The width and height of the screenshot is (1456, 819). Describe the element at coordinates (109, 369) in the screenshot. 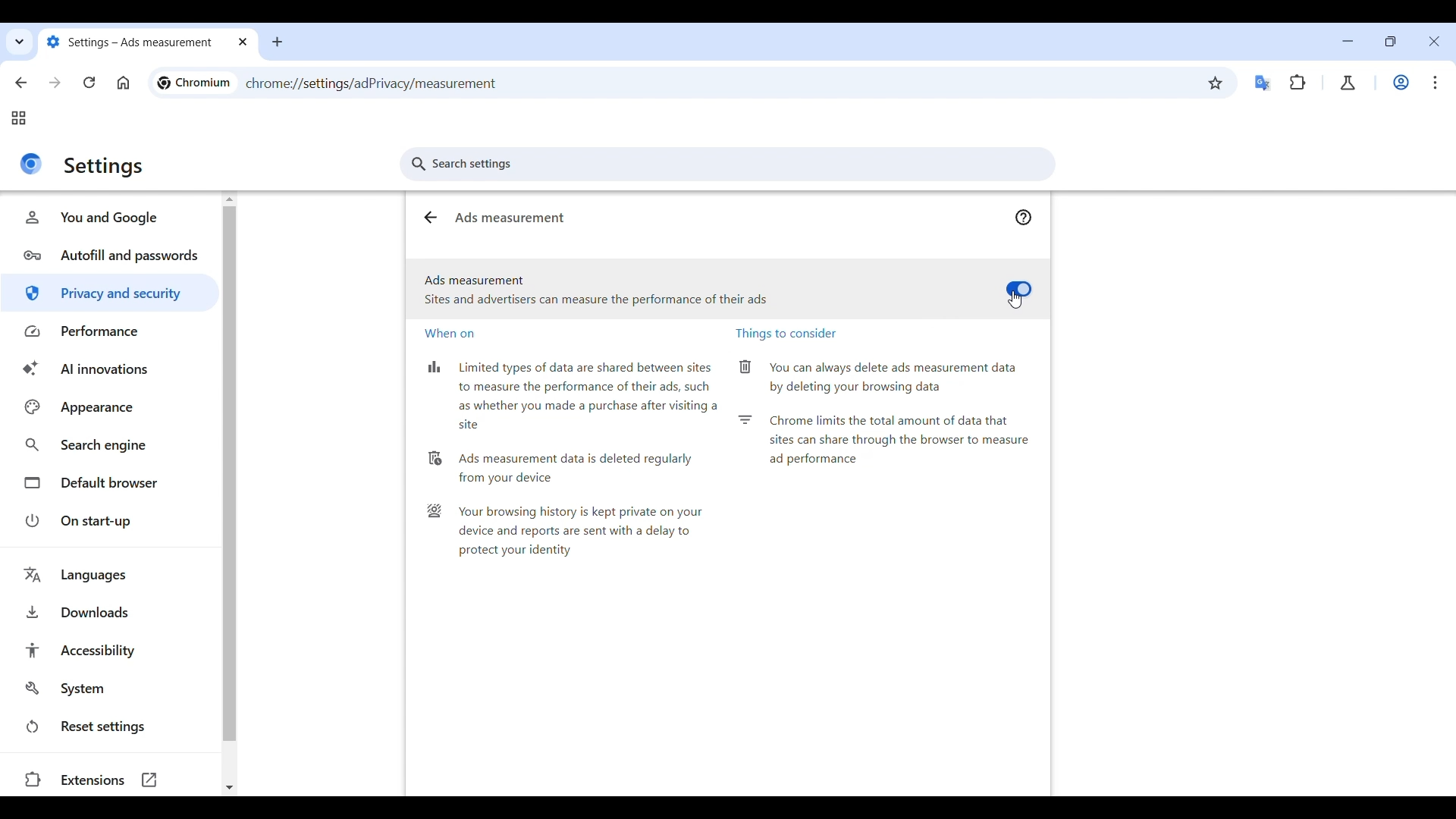

I see `AI innovations` at that location.